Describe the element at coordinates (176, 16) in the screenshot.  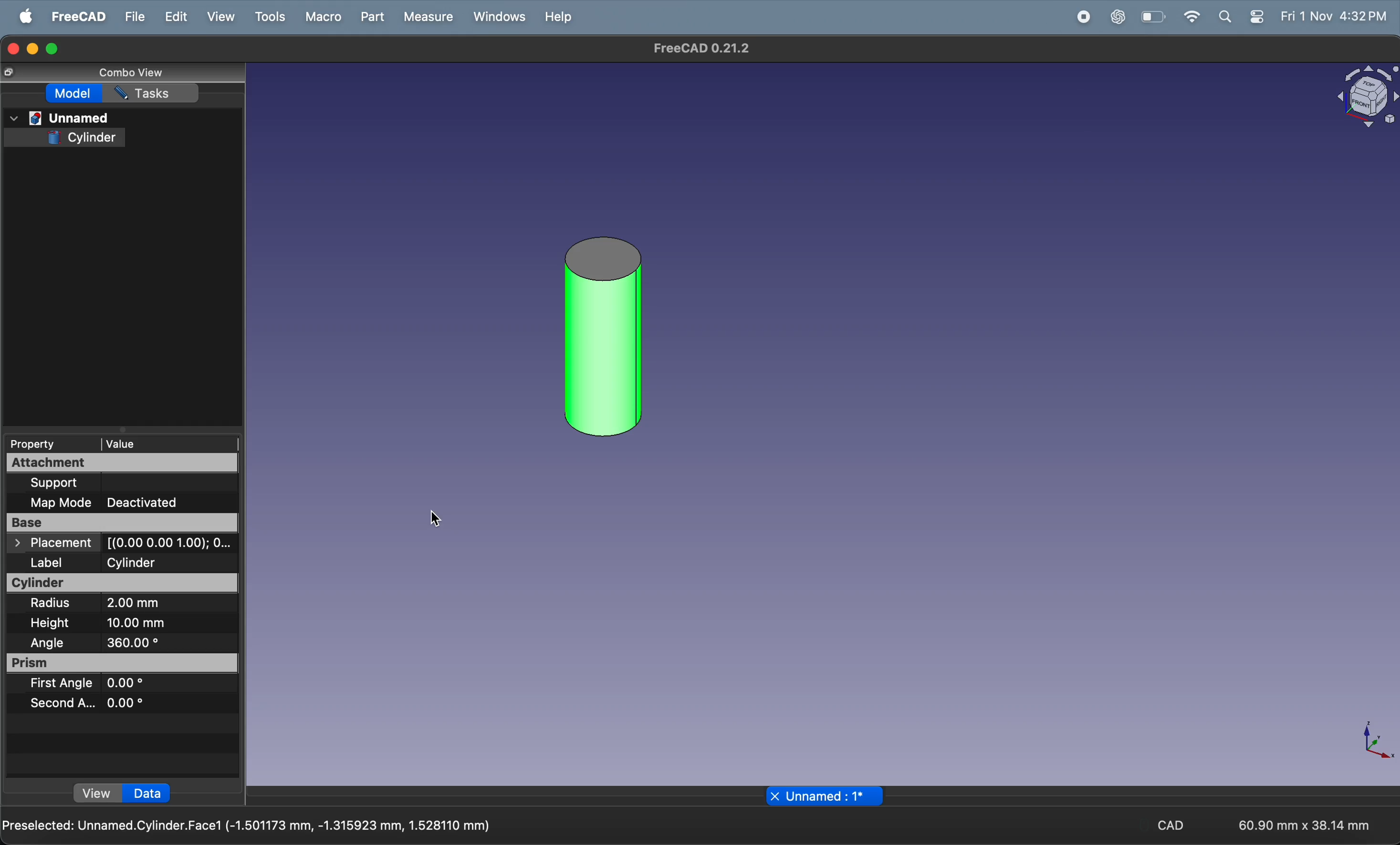
I see `edit` at that location.